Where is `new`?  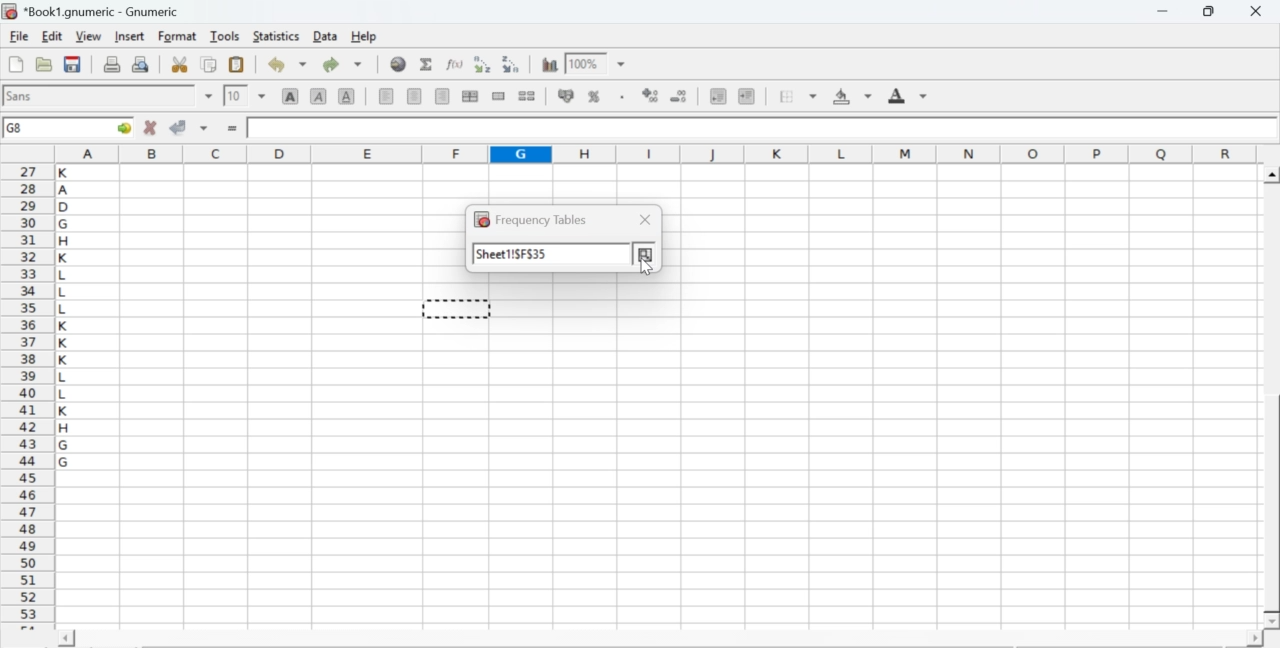
new is located at coordinates (15, 64).